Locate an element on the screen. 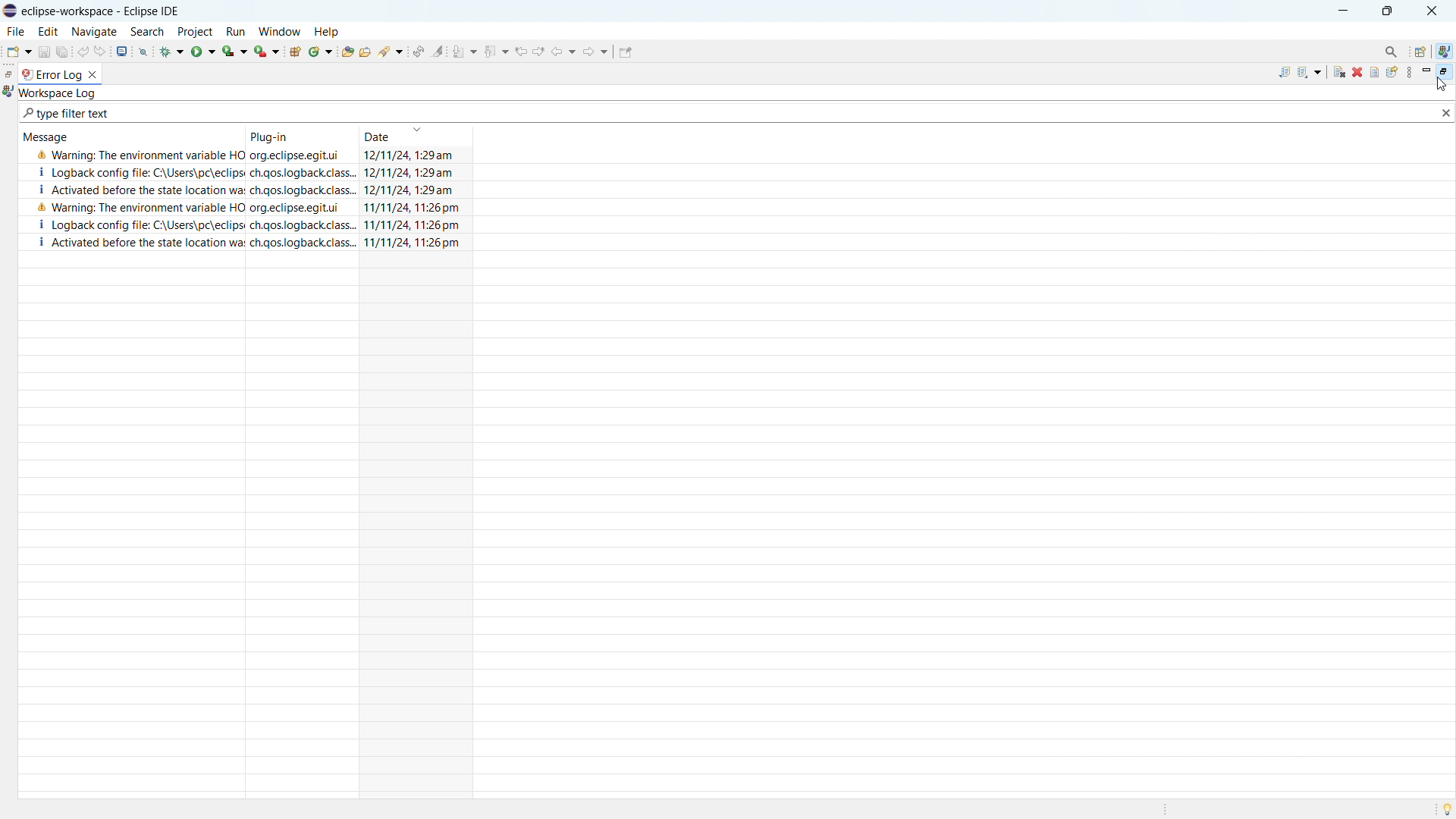 This screenshot has width=1456, height=819. open perspective is located at coordinates (1419, 52).